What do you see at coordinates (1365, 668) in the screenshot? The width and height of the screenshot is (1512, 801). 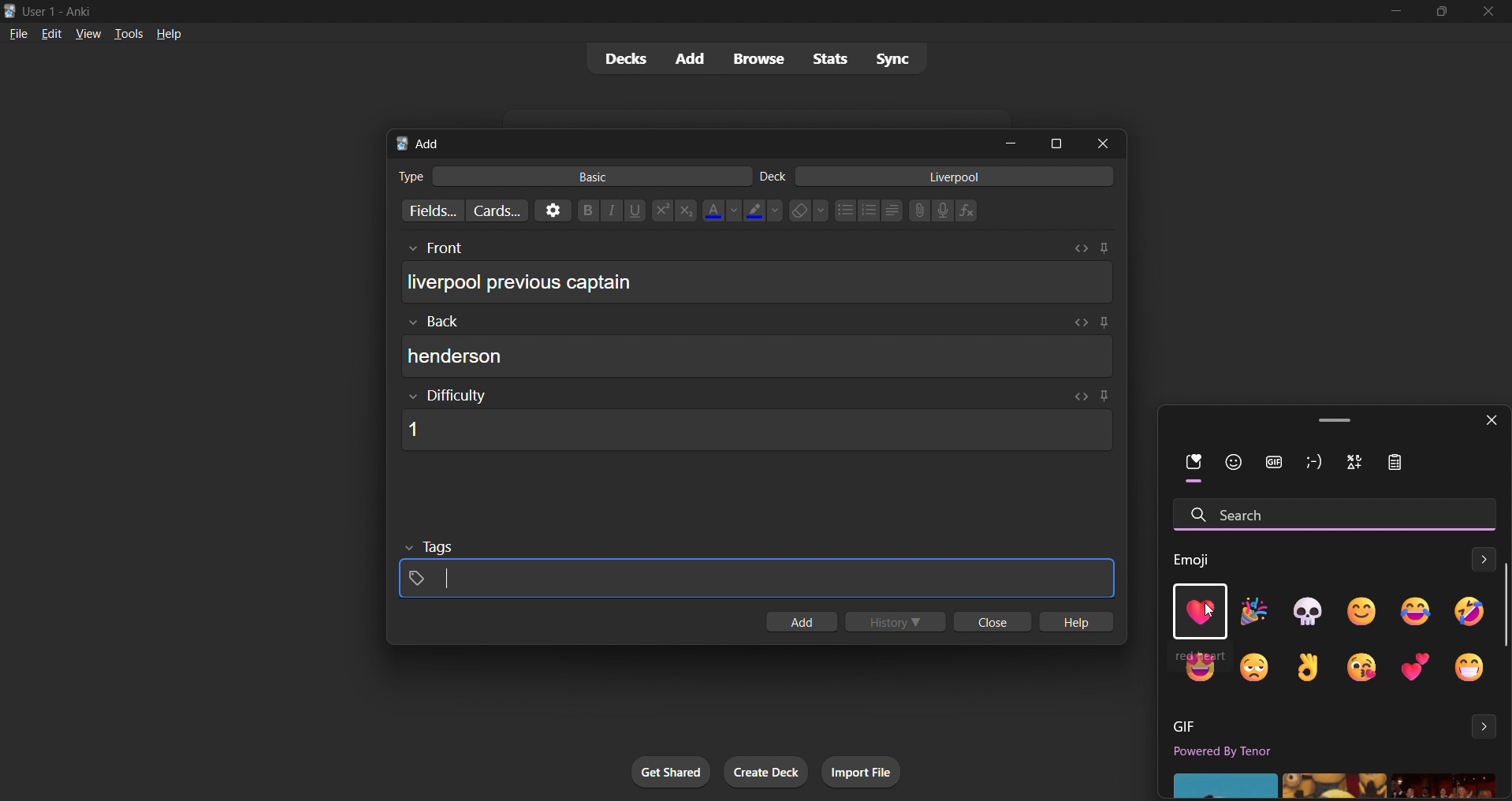 I see `emoji` at bounding box center [1365, 668].